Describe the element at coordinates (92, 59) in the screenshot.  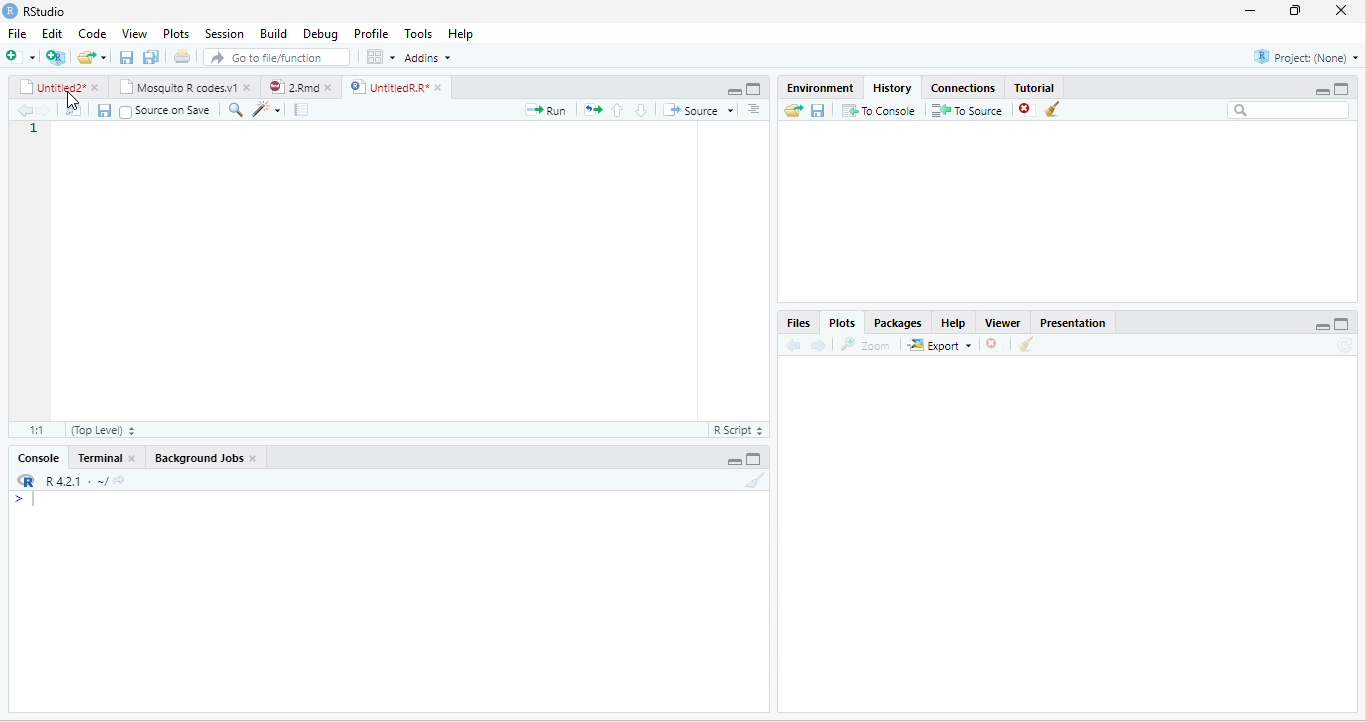
I see `end file` at that location.